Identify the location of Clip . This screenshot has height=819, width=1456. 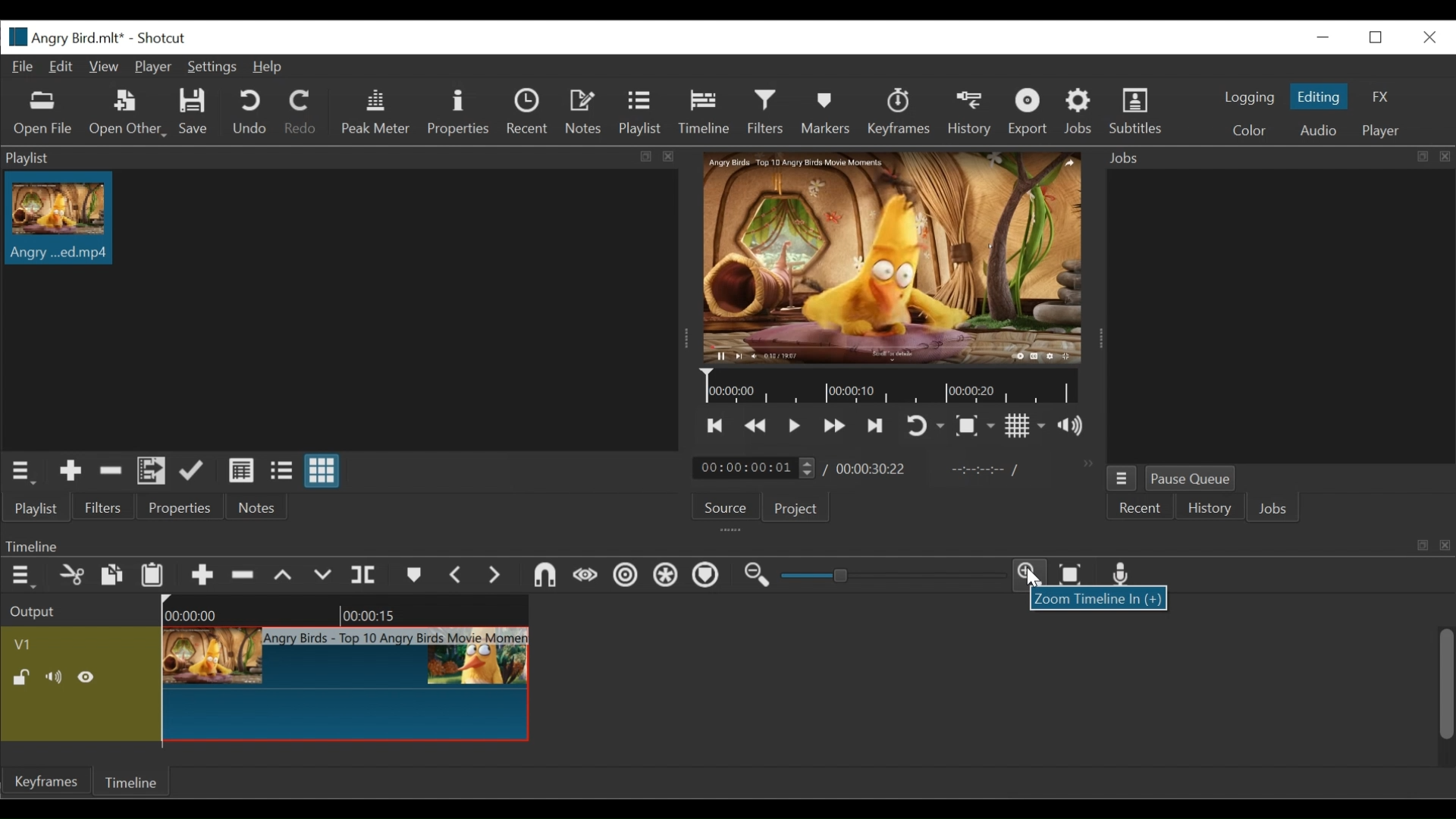
(65, 222).